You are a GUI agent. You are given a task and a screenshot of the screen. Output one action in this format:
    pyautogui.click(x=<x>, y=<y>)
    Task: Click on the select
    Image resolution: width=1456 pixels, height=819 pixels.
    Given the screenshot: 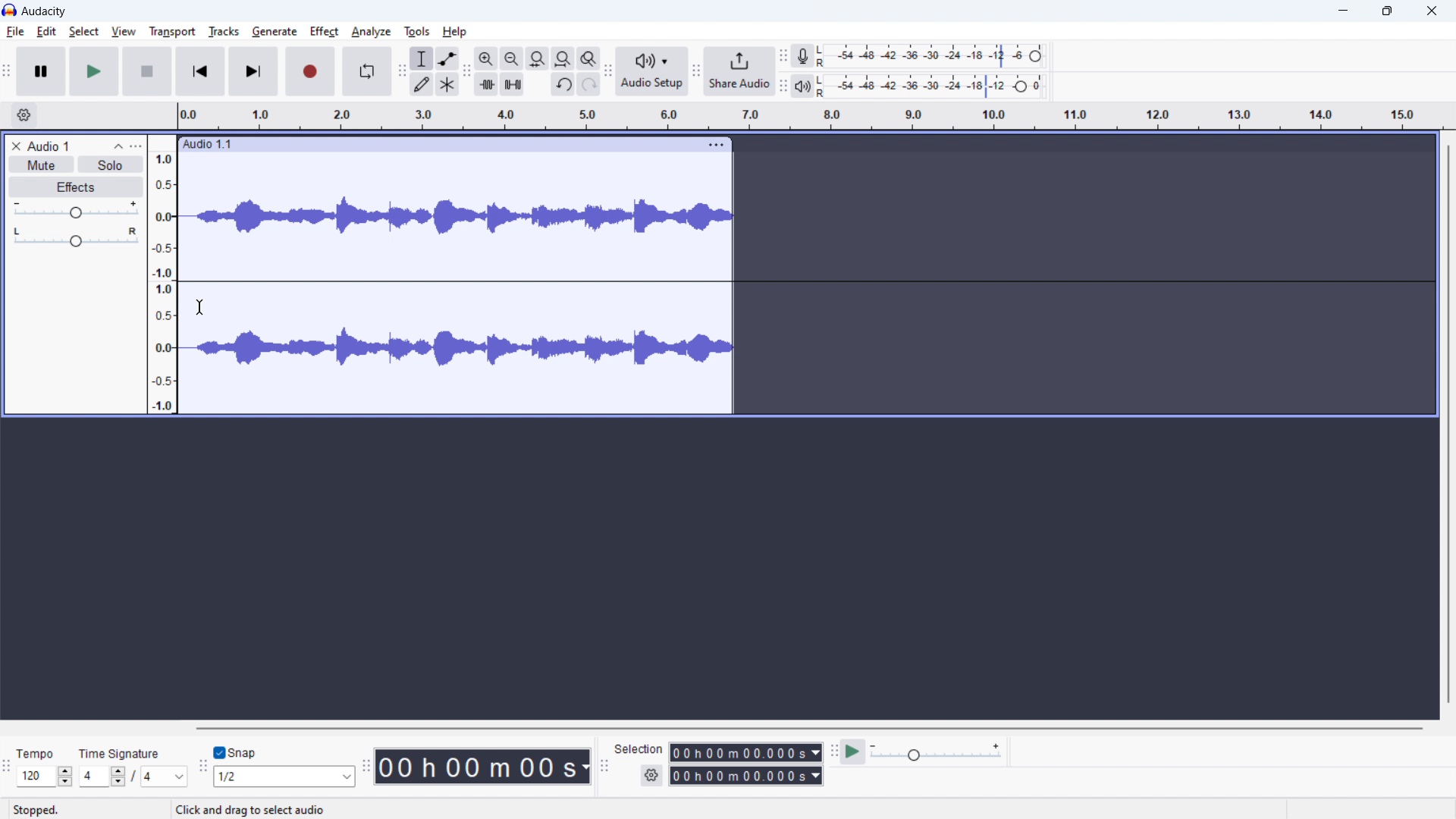 What is the action you would take?
    pyautogui.click(x=83, y=32)
    